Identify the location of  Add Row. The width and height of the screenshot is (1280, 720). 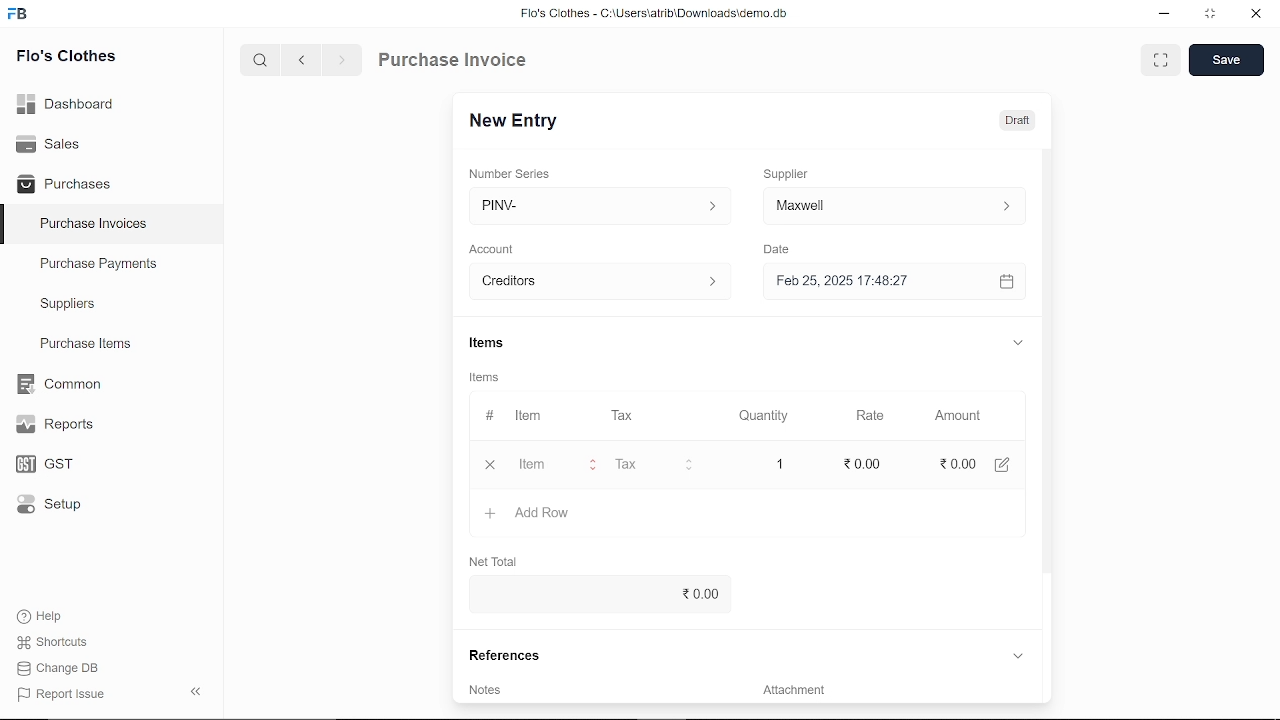
(529, 514).